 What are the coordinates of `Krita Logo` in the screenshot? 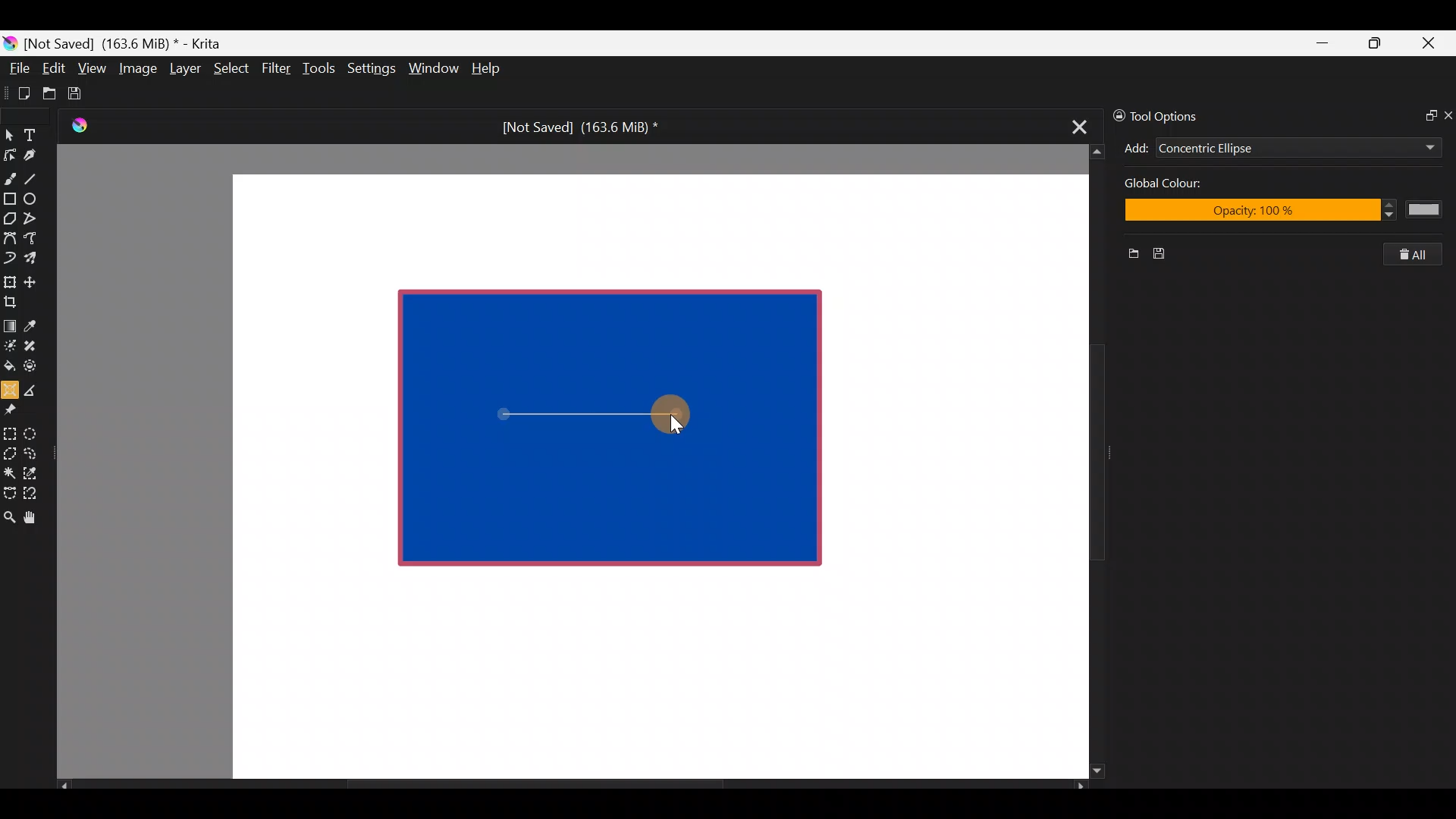 It's located at (77, 125).